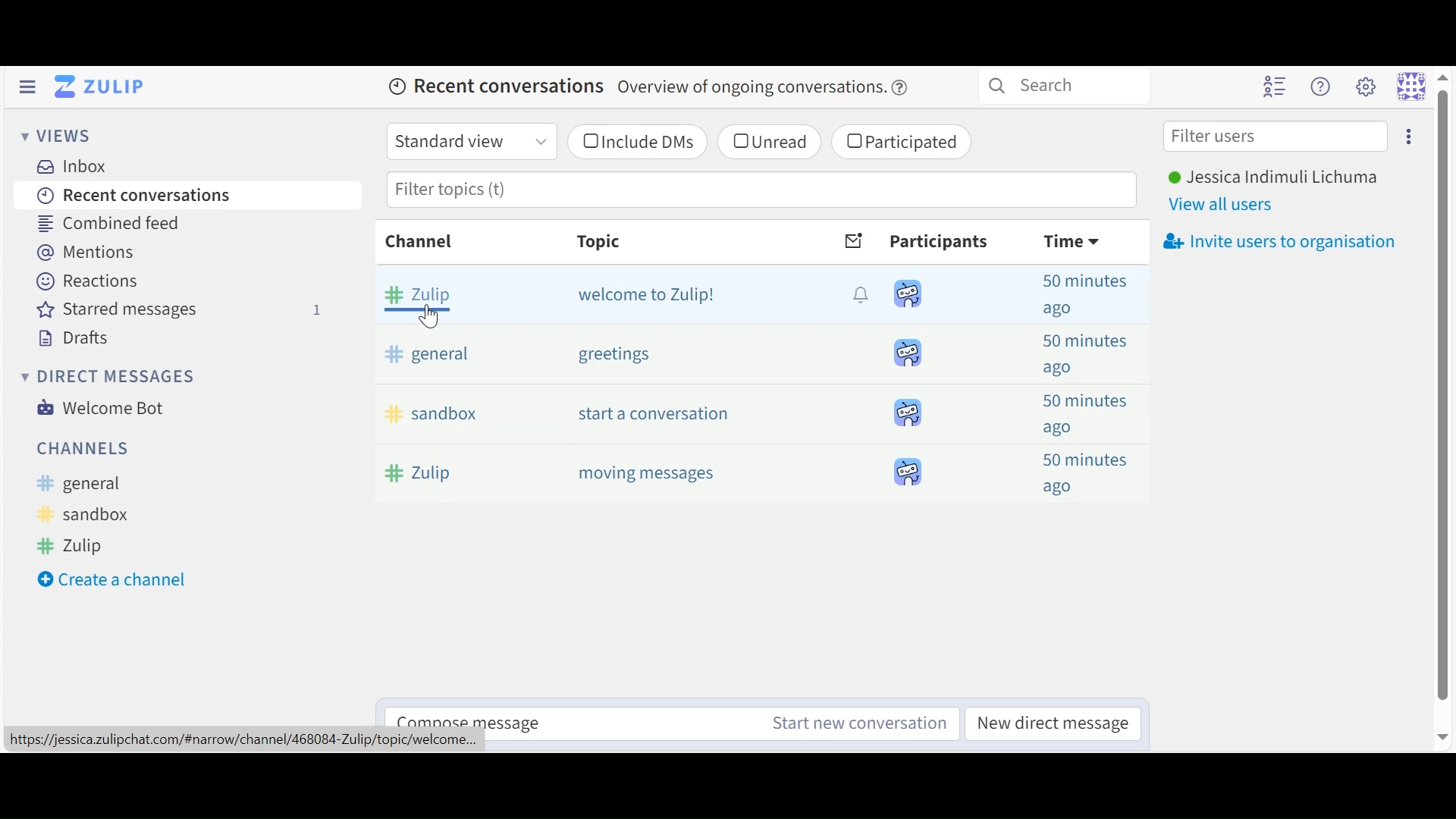 The image size is (1456, 819). Describe the element at coordinates (89, 515) in the screenshot. I see `Sandbox` at that location.